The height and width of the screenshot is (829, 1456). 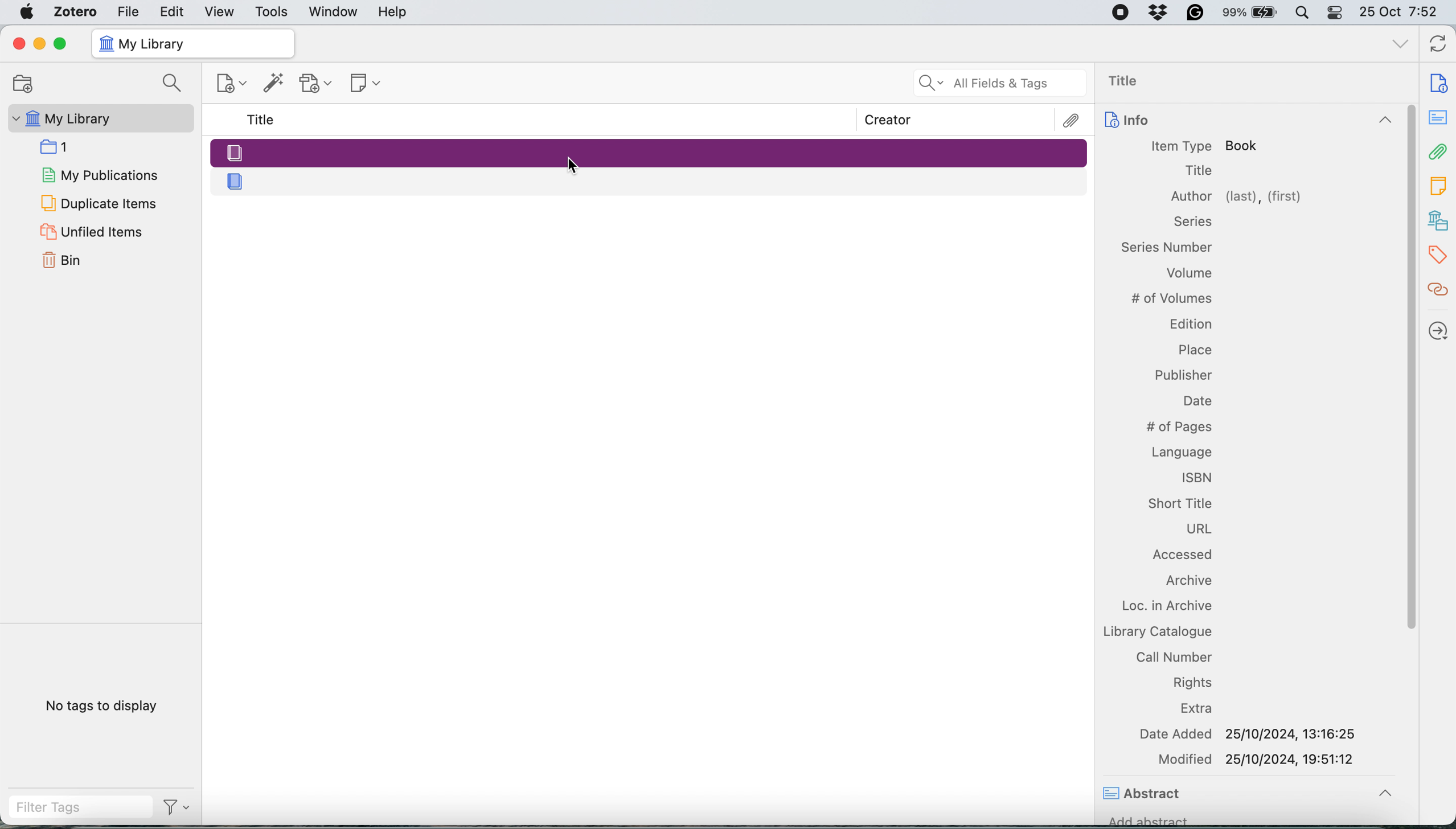 What do you see at coordinates (1001, 83) in the screenshot?
I see `All Fields & Tags` at bounding box center [1001, 83].